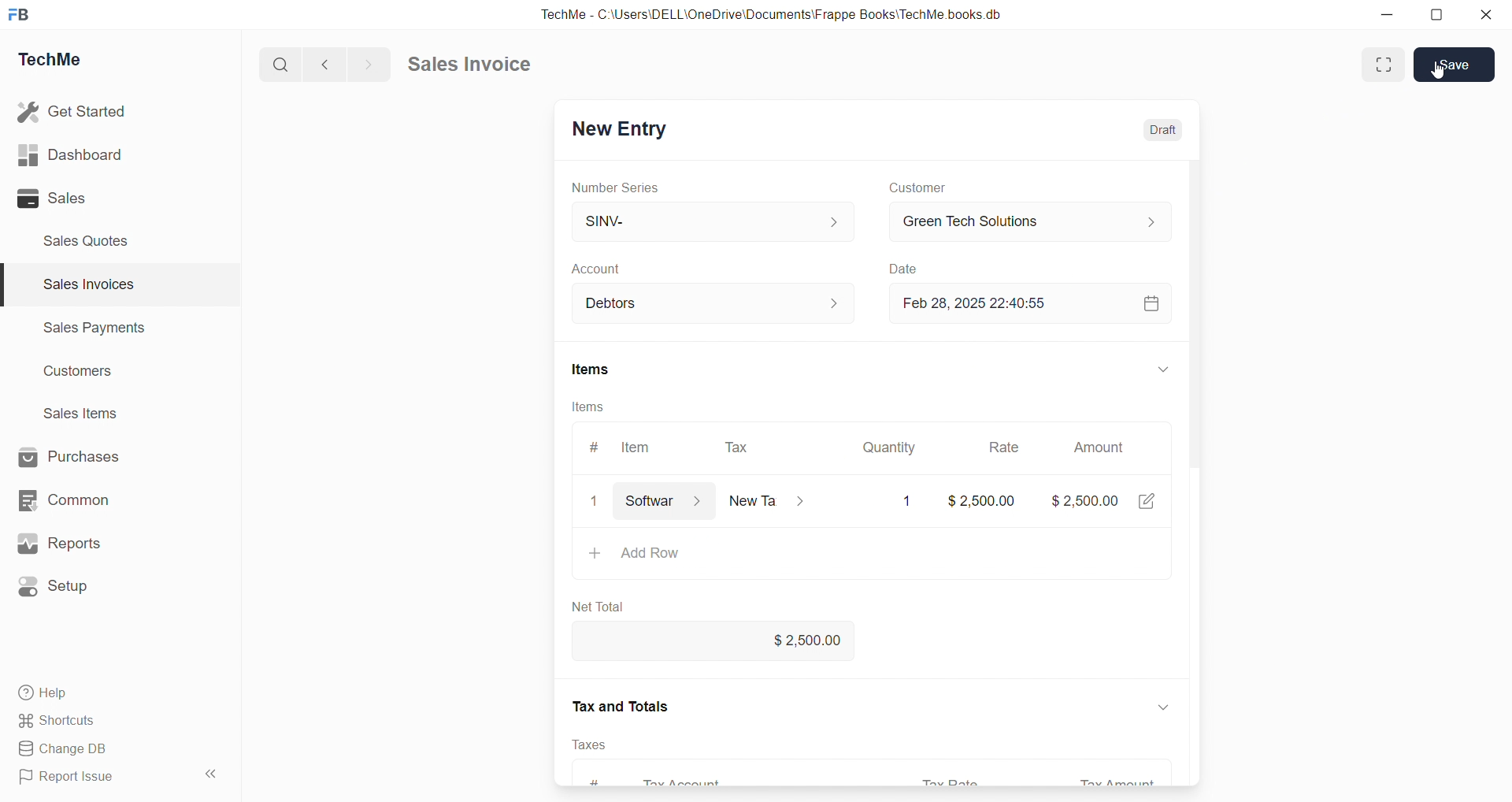 The image size is (1512, 802). Describe the element at coordinates (70, 154) in the screenshot. I see `Dashboard` at that location.